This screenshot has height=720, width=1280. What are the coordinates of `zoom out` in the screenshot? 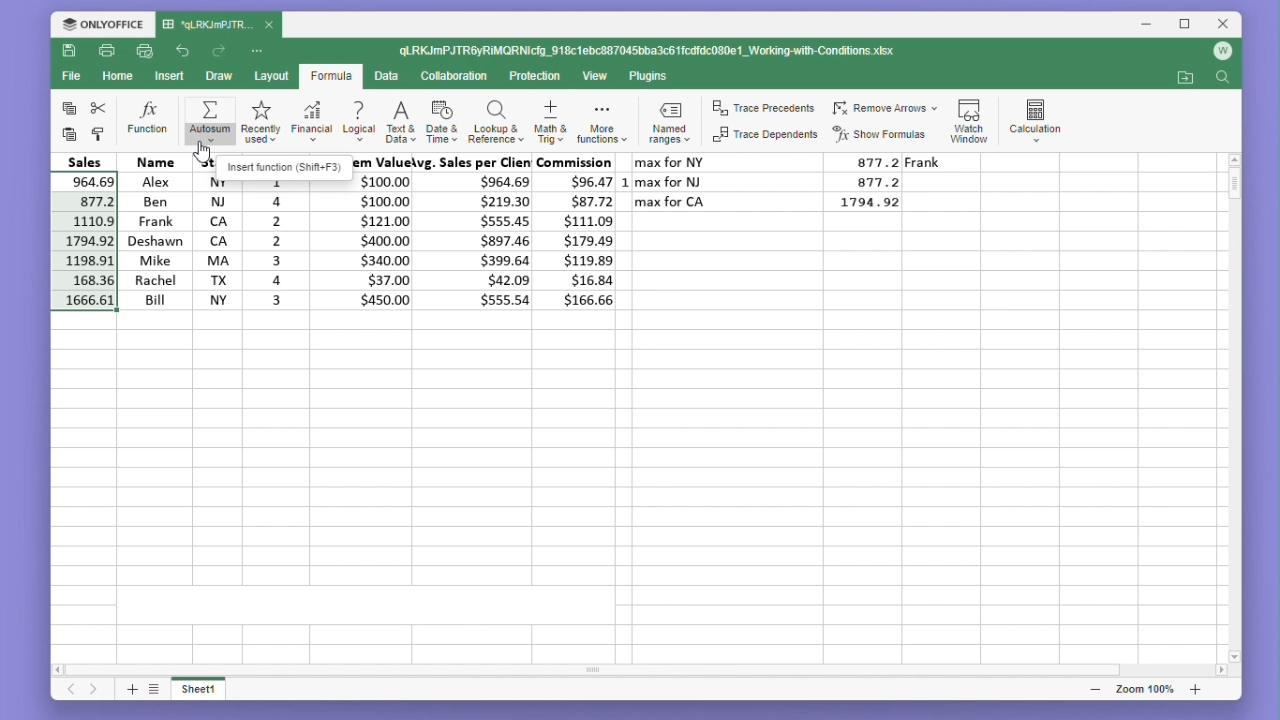 It's located at (1097, 690).